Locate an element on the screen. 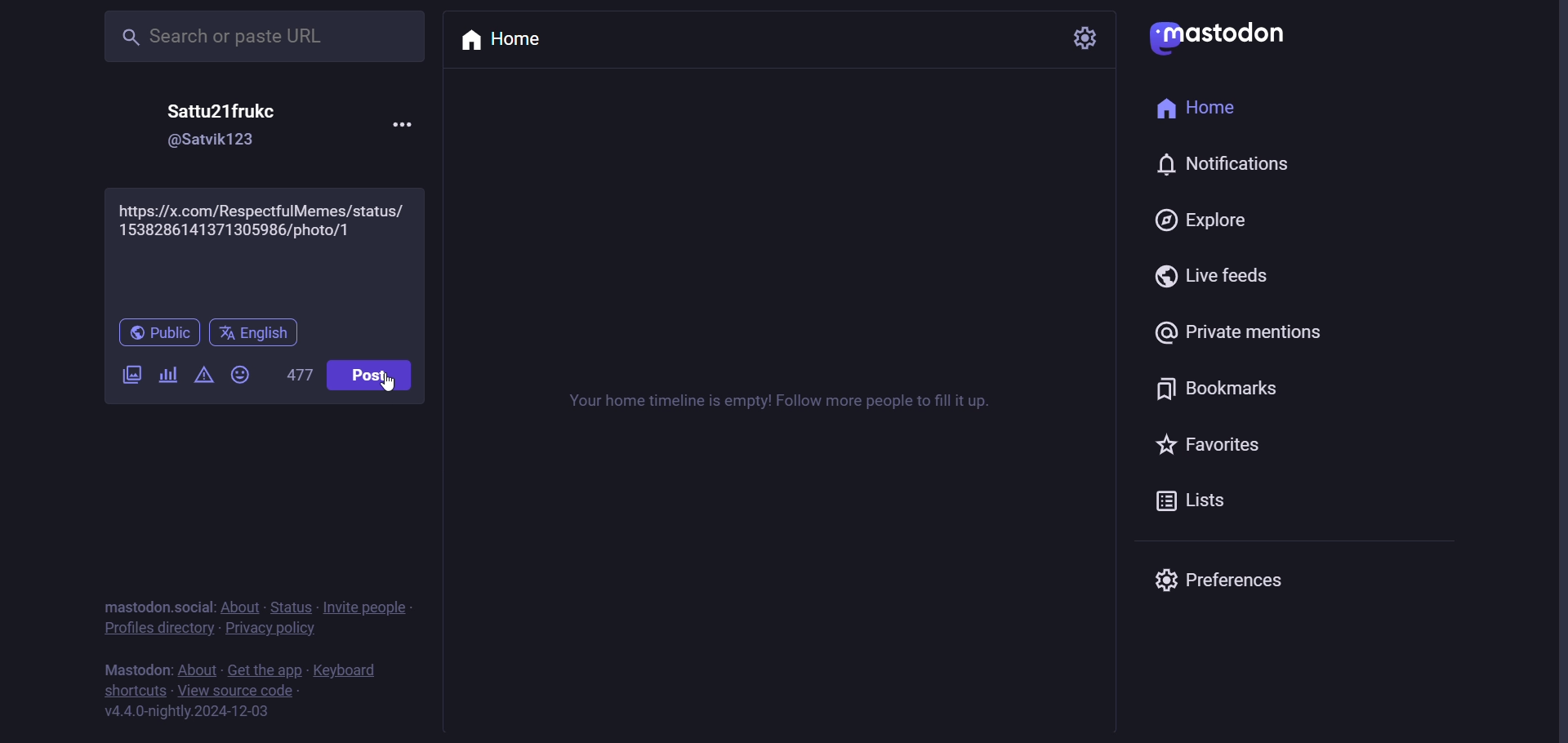 Image resolution: width=1568 pixels, height=743 pixels. about is located at coordinates (241, 608).